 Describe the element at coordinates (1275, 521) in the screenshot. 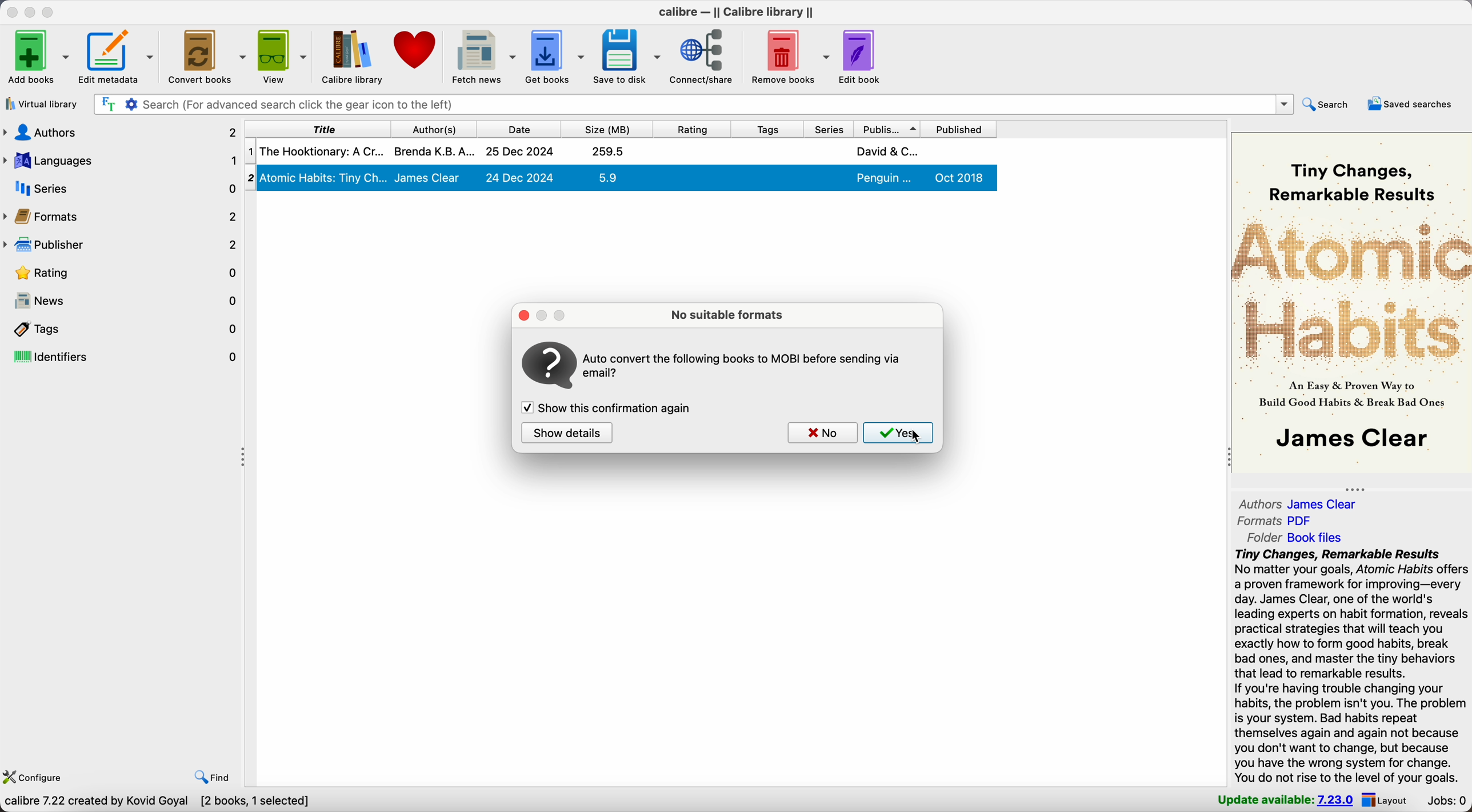

I see `formats PDF` at that location.